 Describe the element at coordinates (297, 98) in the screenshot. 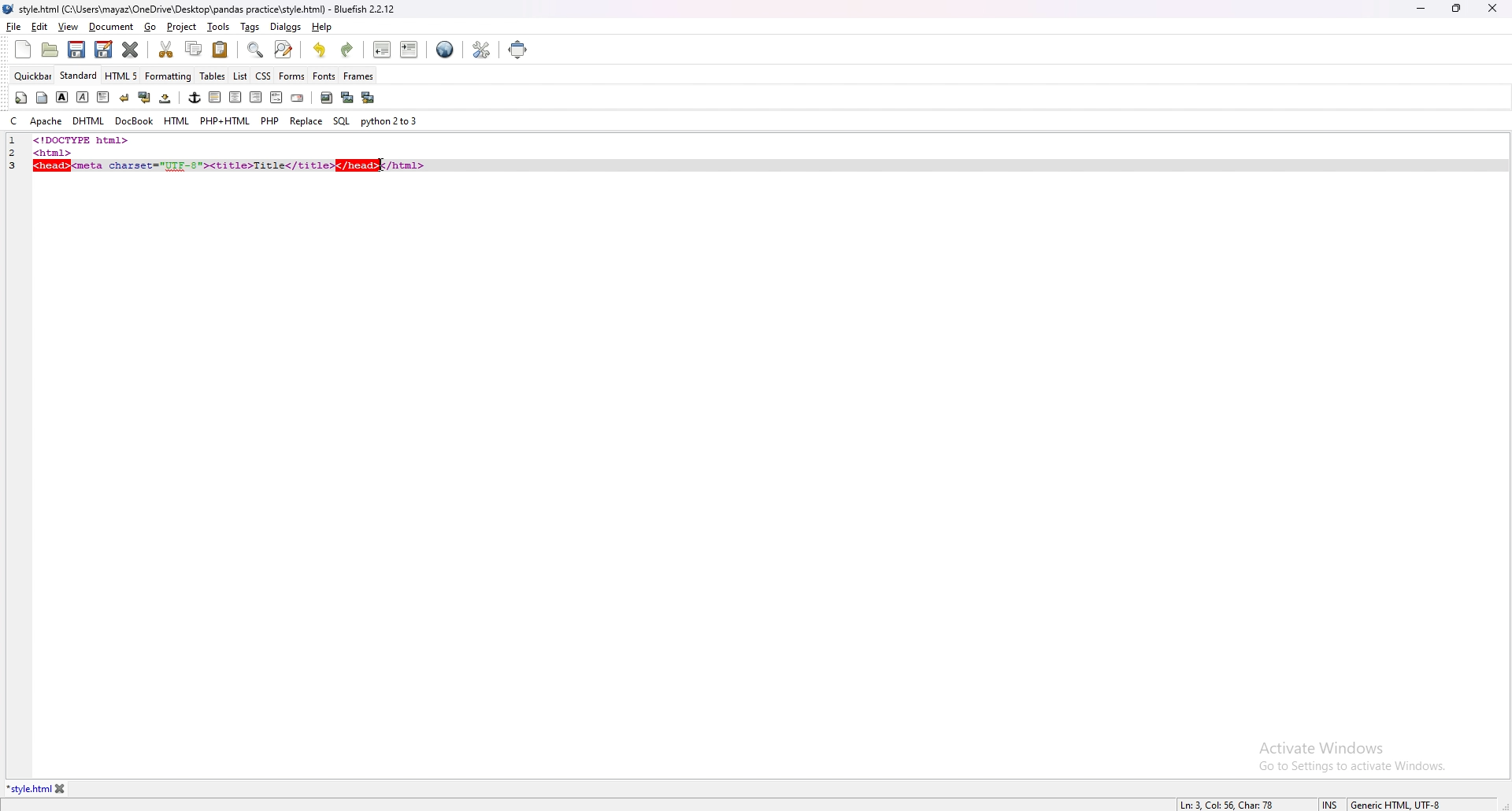

I see `email` at that location.